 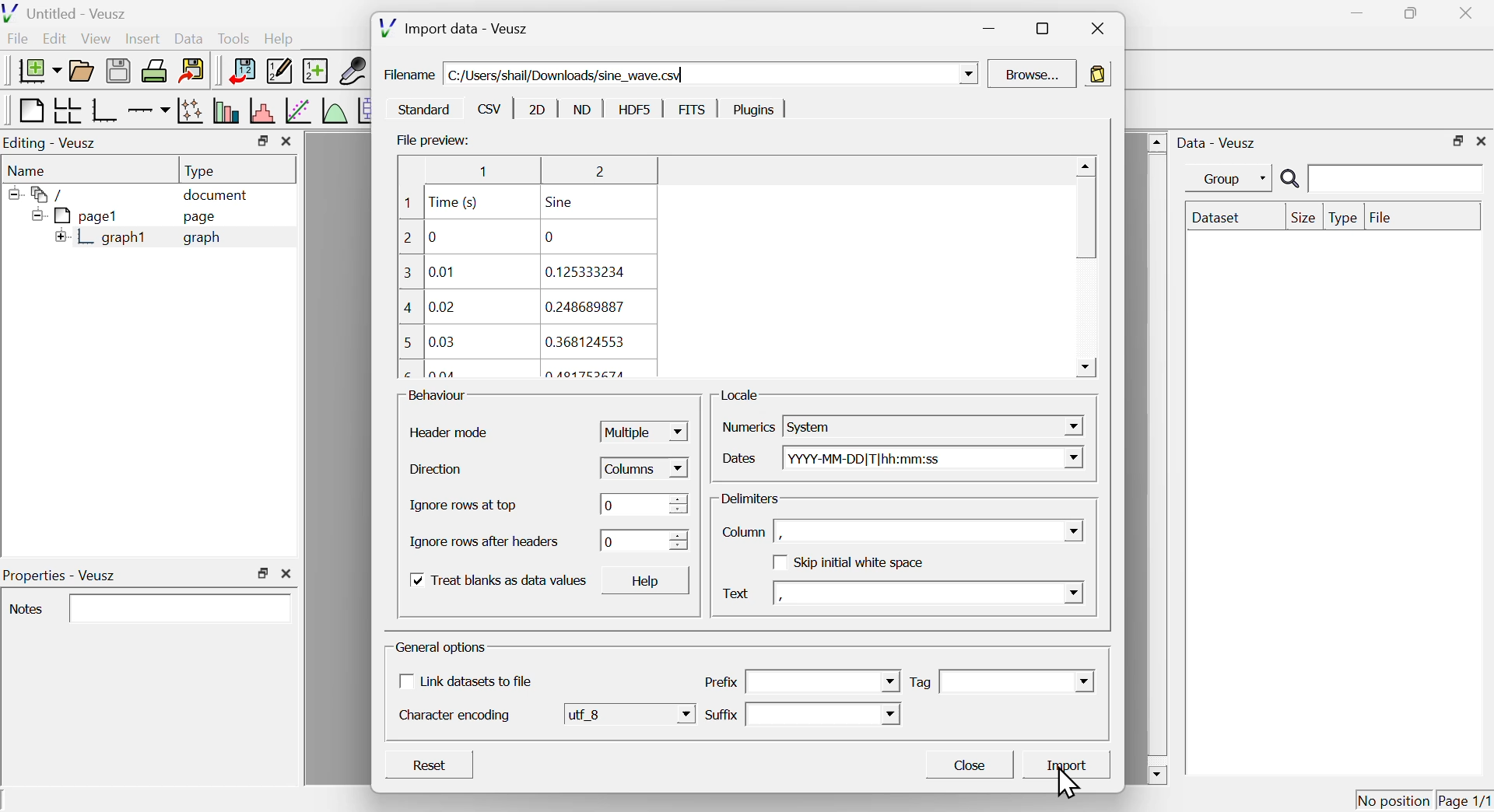 What do you see at coordinates (288, 142) in the screenshot?
I see `close` at bounding box center [288, 142].